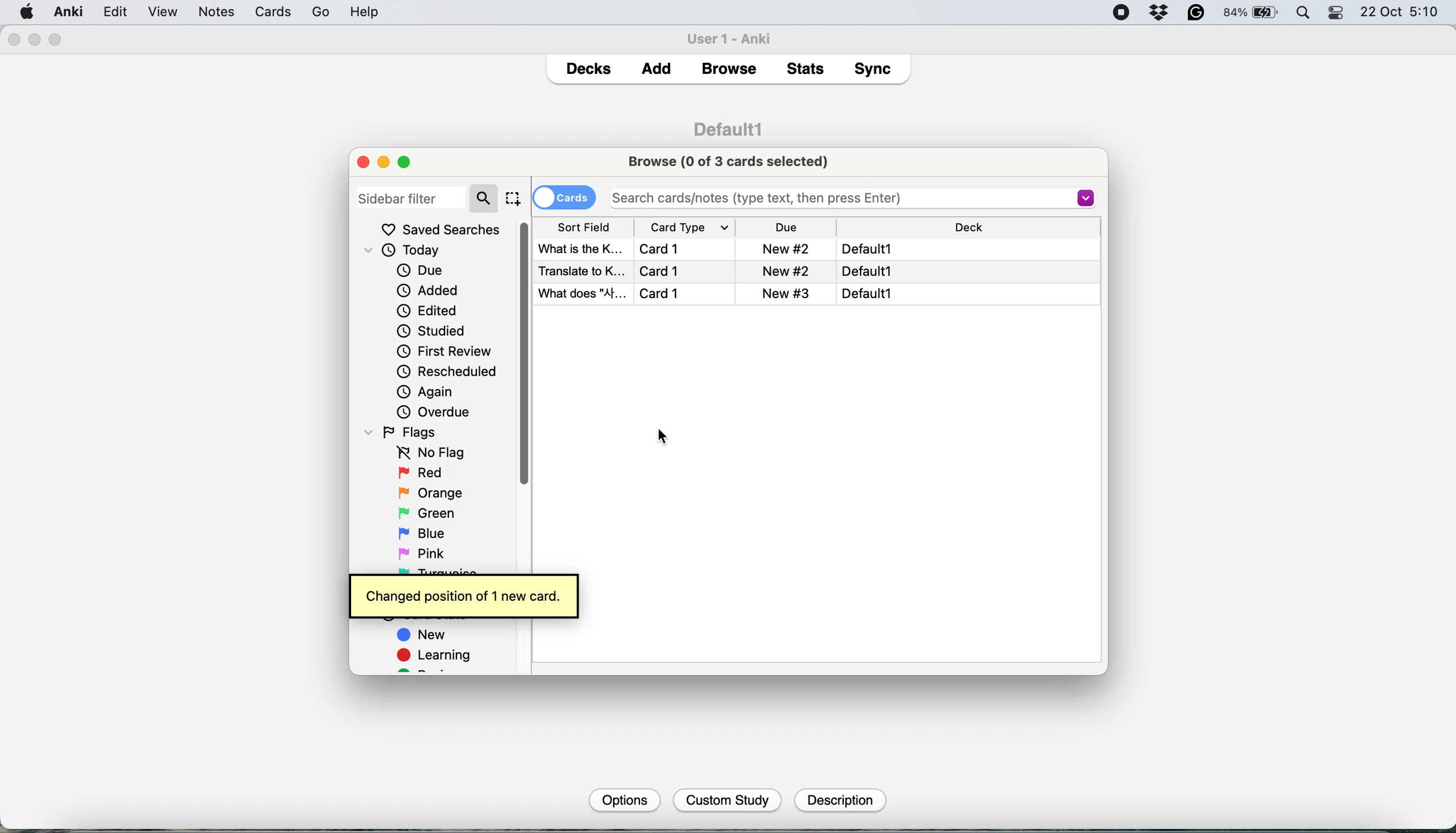 This screenshot has height=833, width=1456. Describe the element at coordinates (70, 11) in the screenshot. I see `anki` at that location.